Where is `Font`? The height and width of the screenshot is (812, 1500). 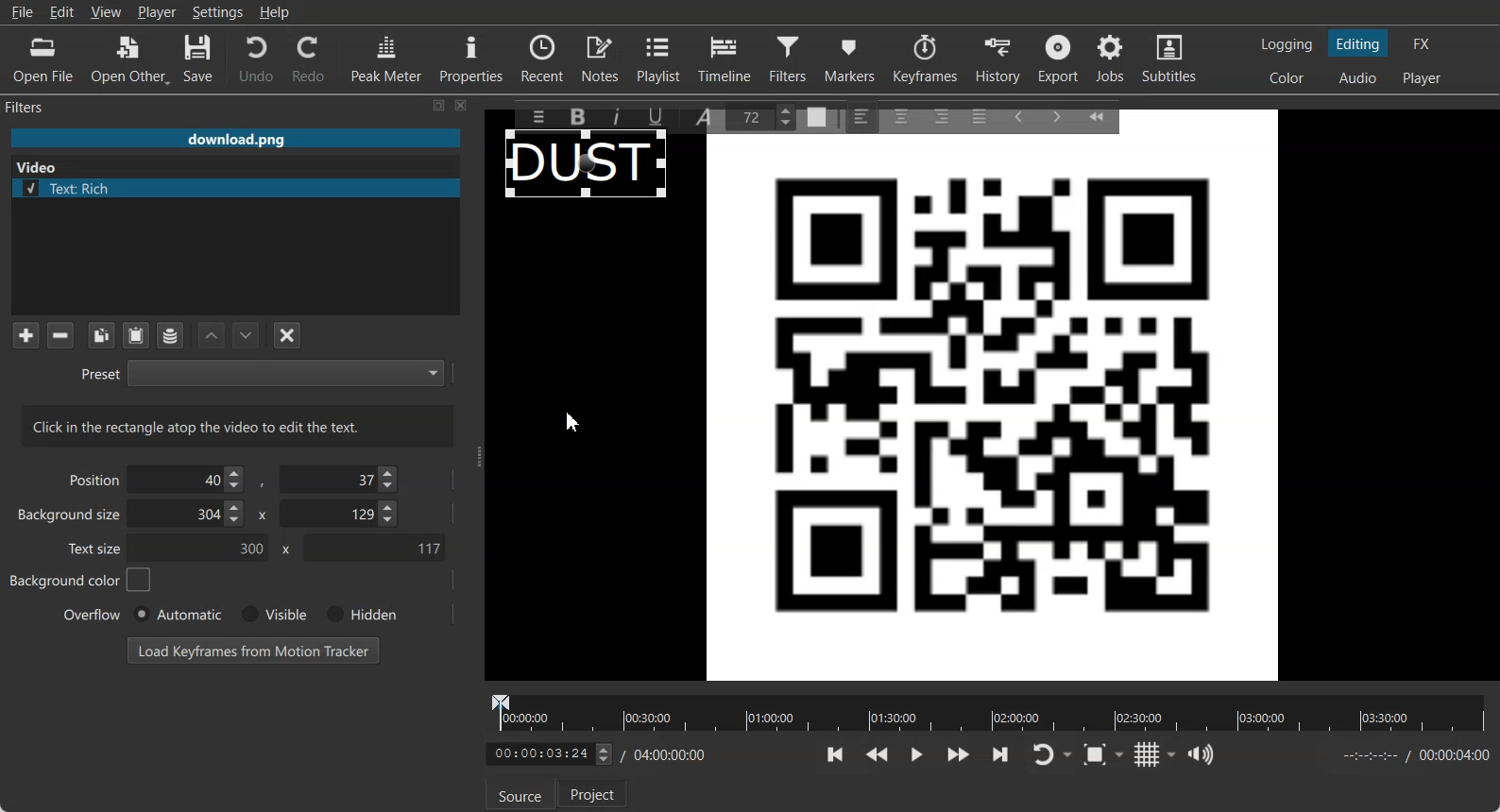 Font is located at coordinates (707, 115).